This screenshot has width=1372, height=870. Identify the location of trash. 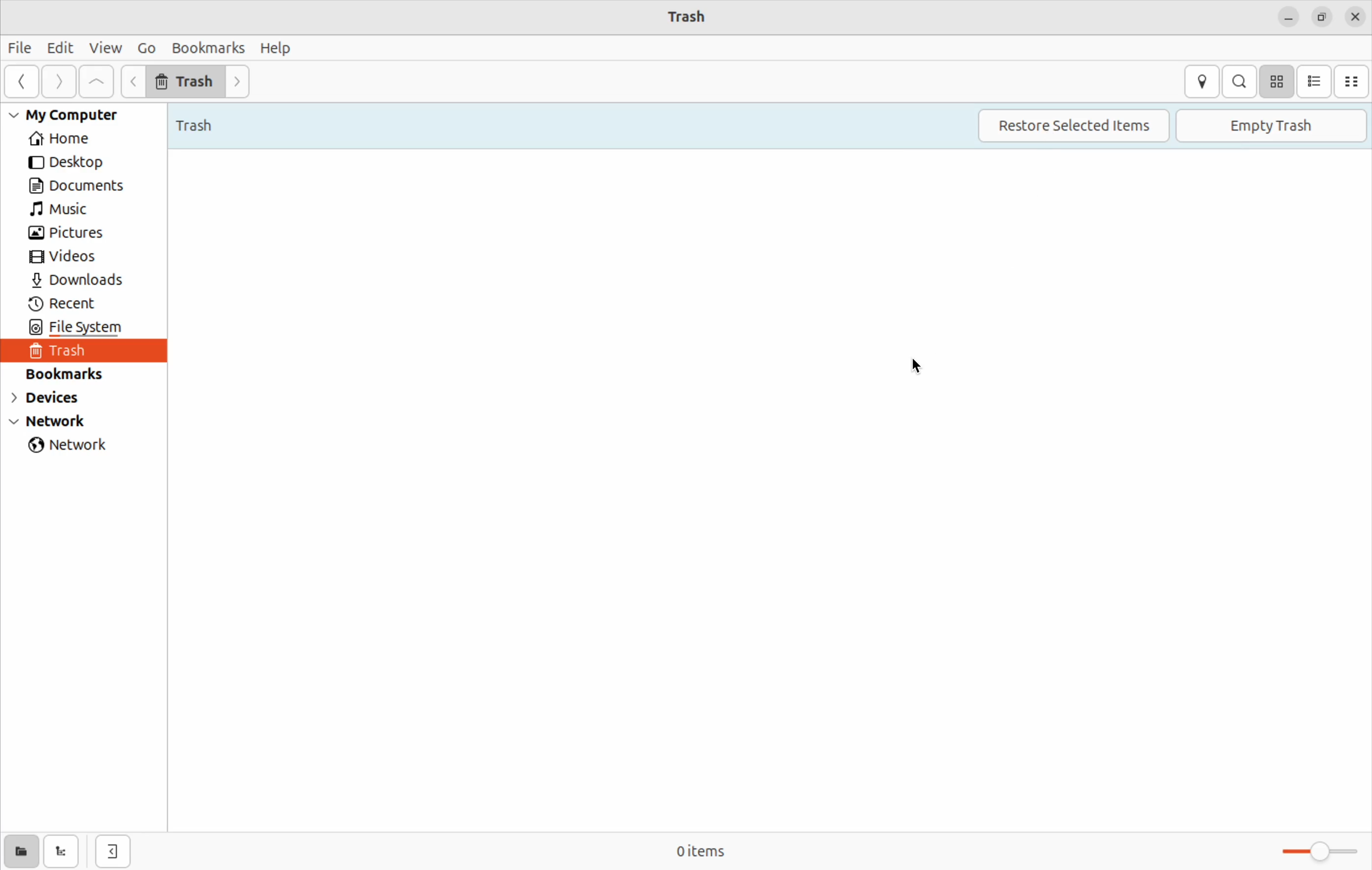
(186, 80).